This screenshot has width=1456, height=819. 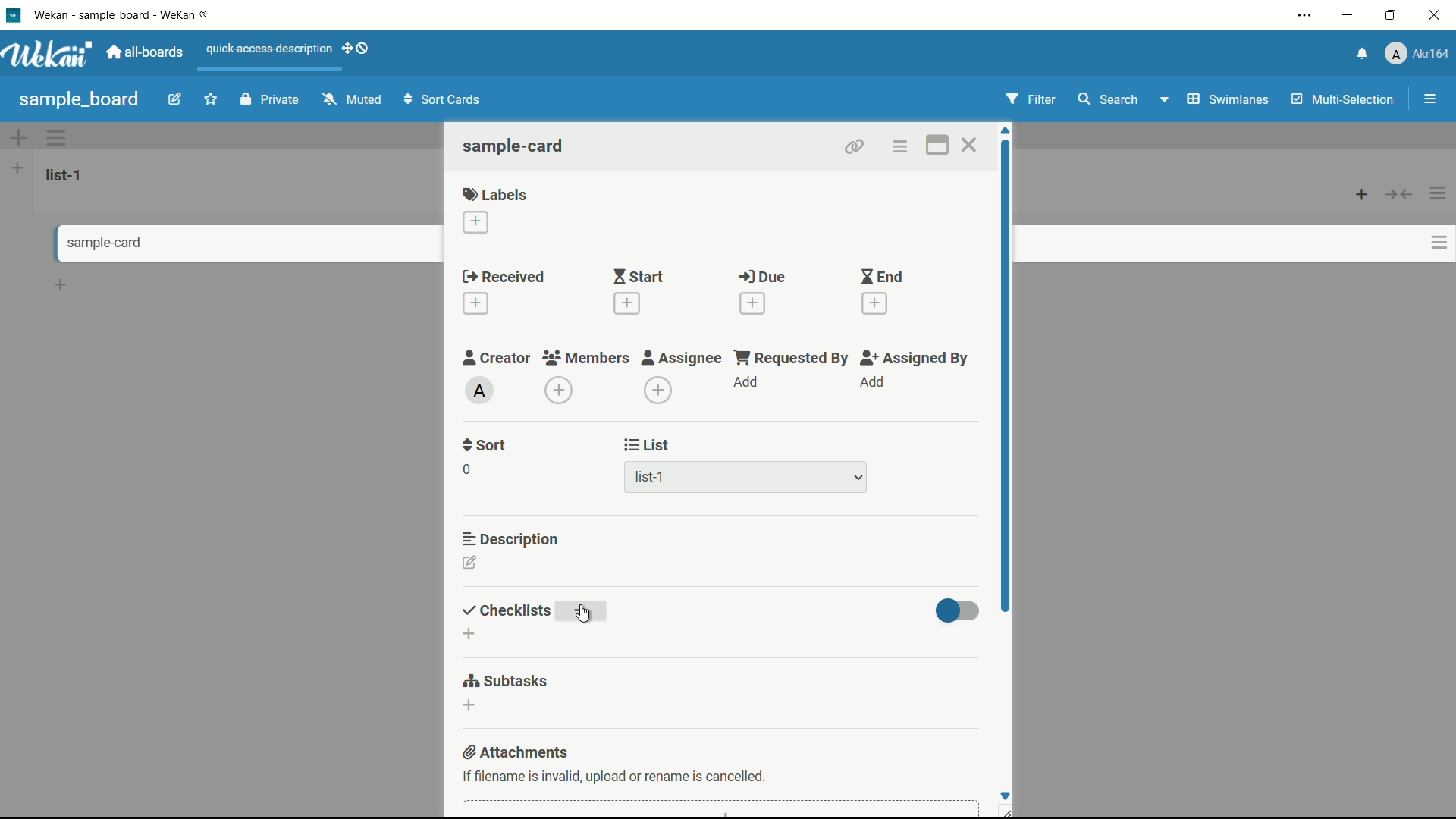 What do you see at coordinates (471, 565) in the screenshot?
I see `add description` at bounding box center [471, 565].